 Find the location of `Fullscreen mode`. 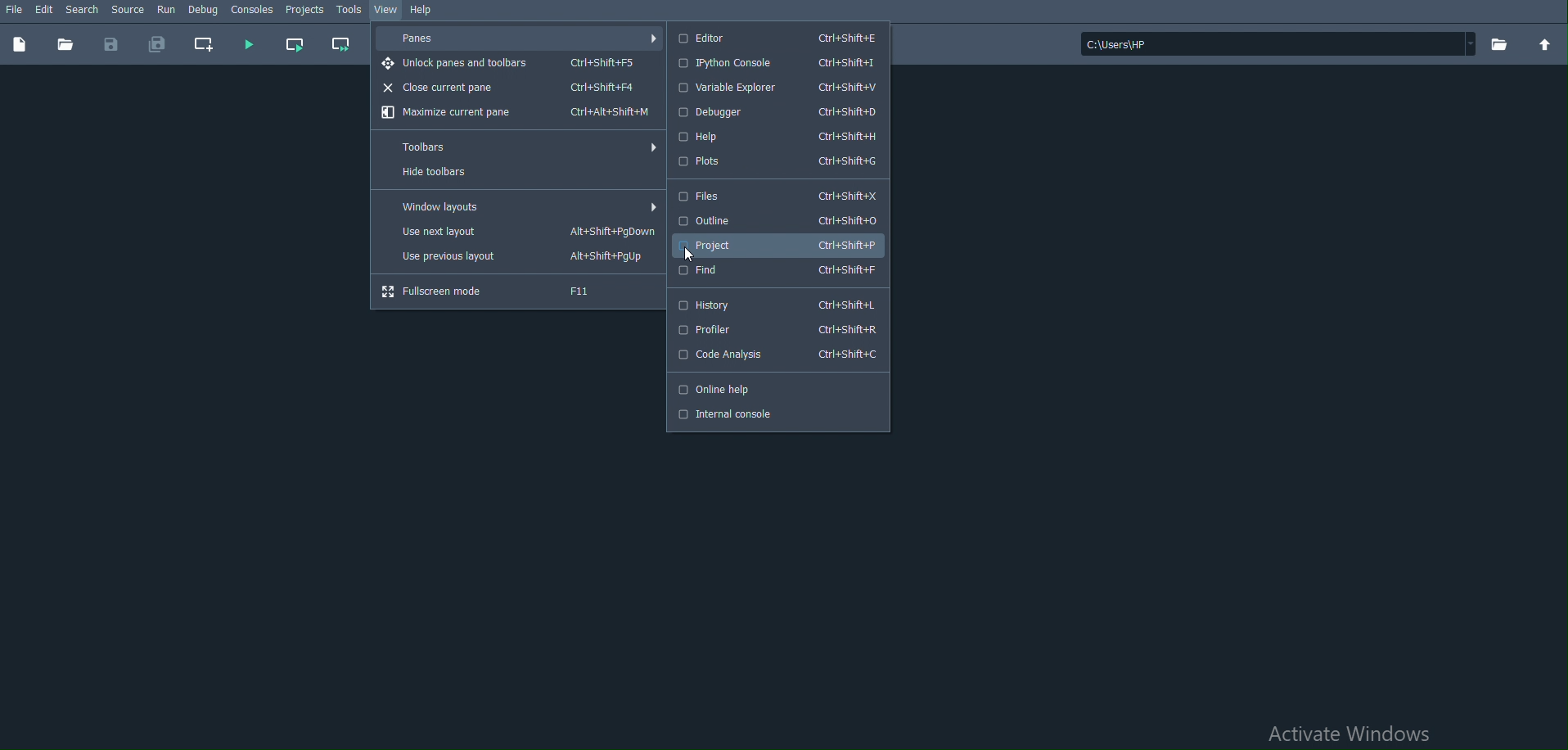

Fullscreen mode is located at coordinates (516, 291).